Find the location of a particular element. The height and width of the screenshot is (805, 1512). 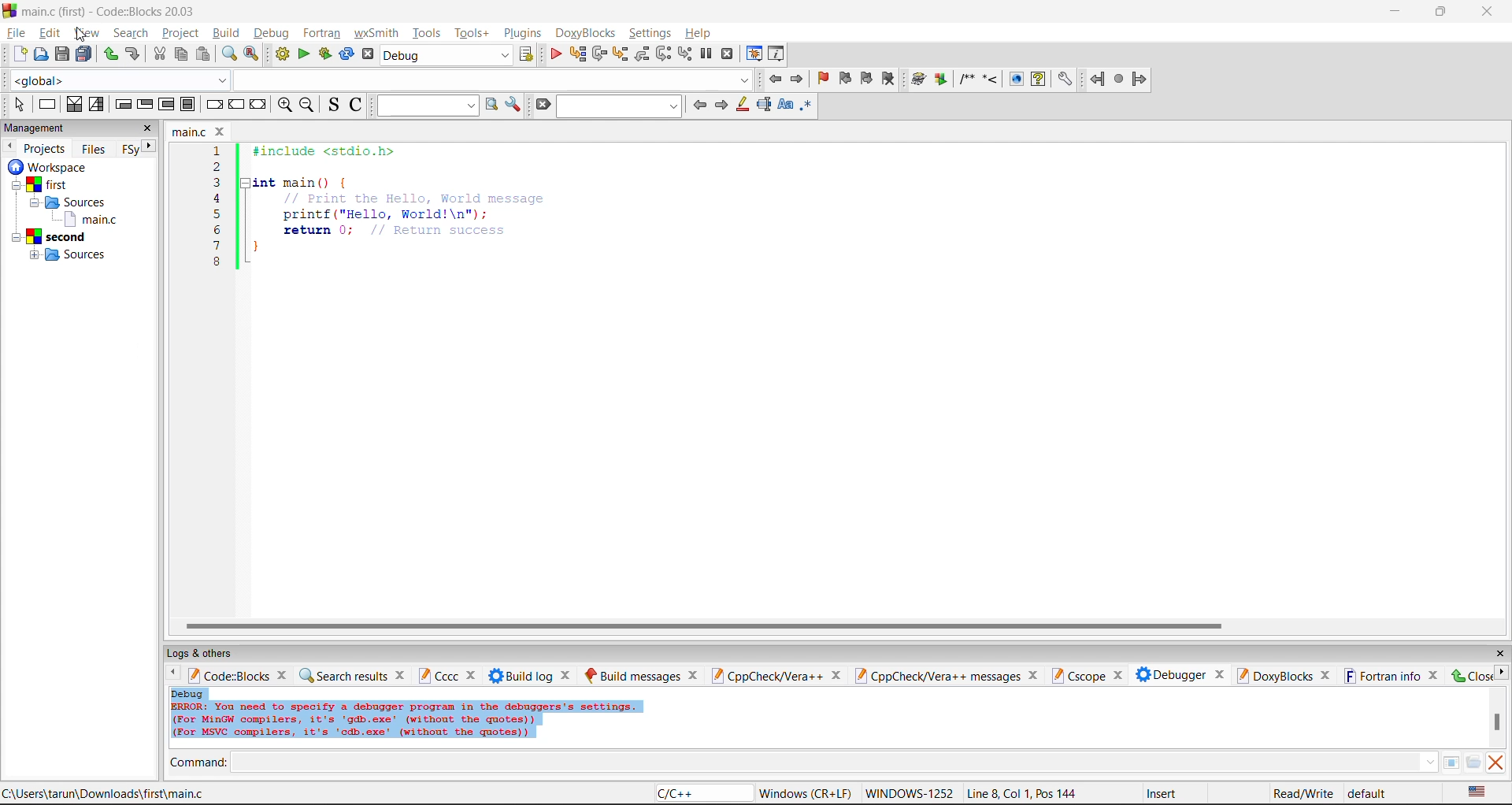

paste is located at coordinates (203, 57).